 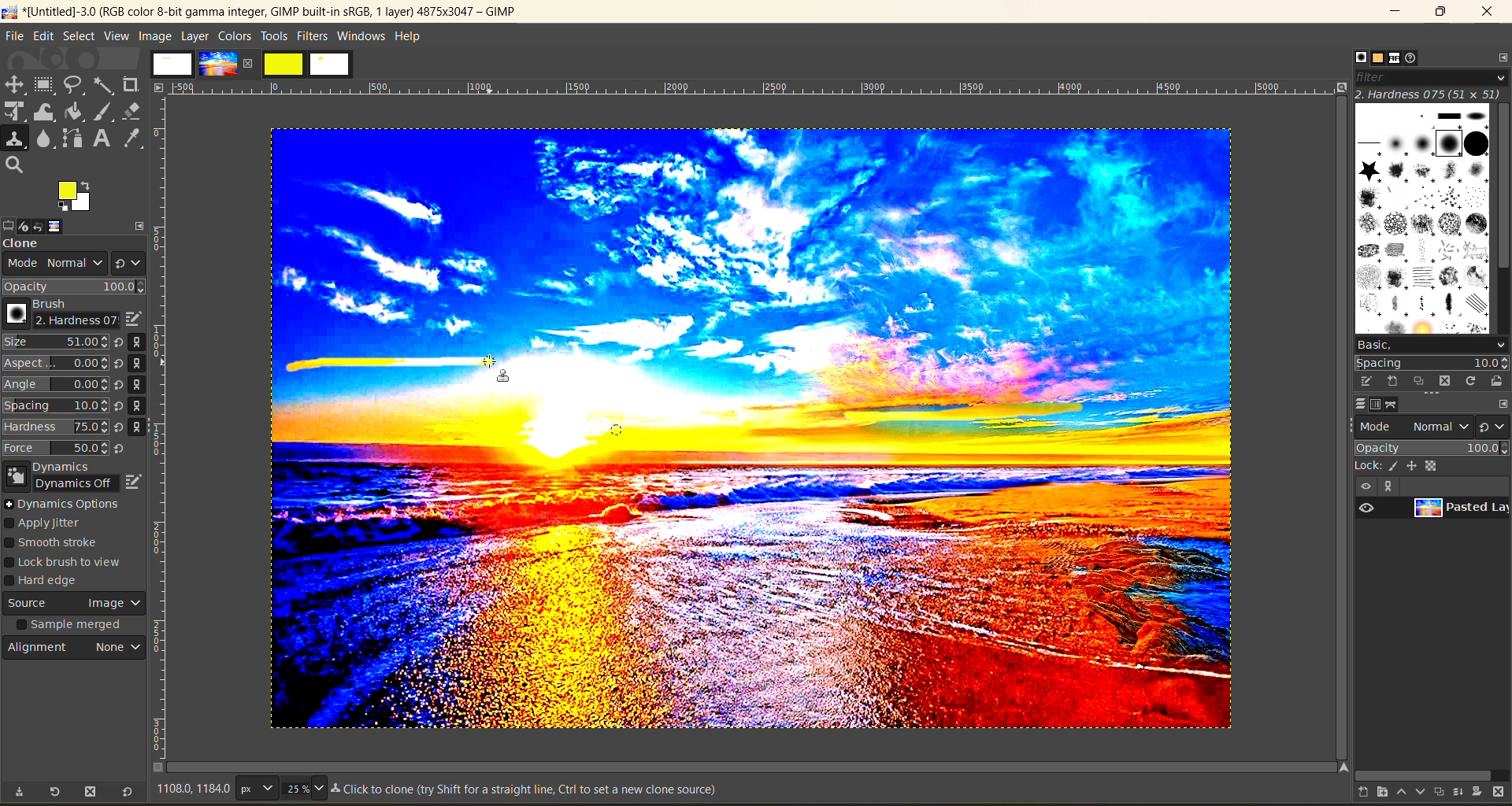 I want to click on 740.0, 1580.0, so click(x=191, y=791).